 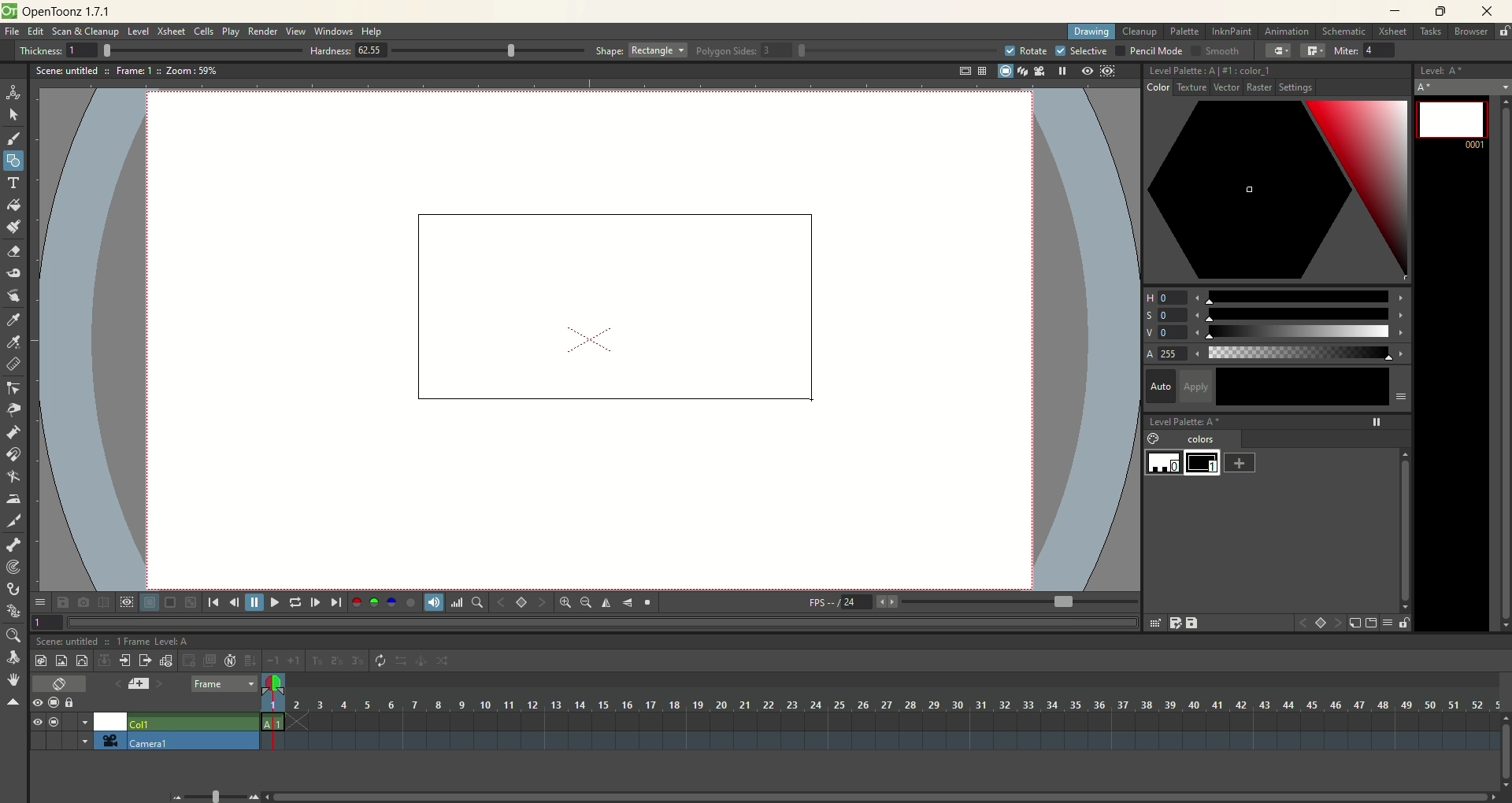 What do you see at coordinates (317, 661) in the screenshot?
I see `reframe on 1's` at bounding box center [317, 661].